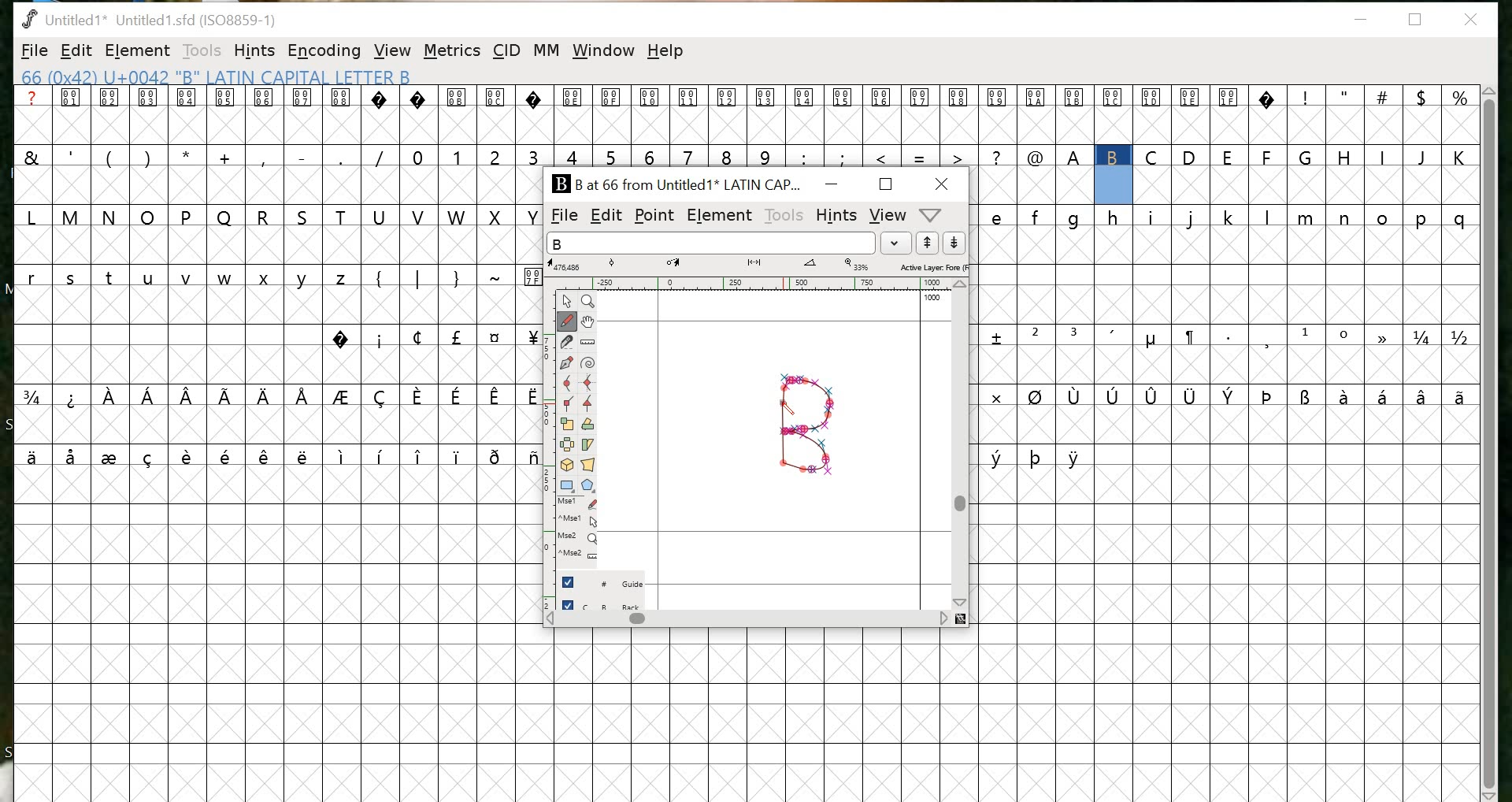 The image size is (1512, 802). I want to click on EDIT, so click(76, 50).